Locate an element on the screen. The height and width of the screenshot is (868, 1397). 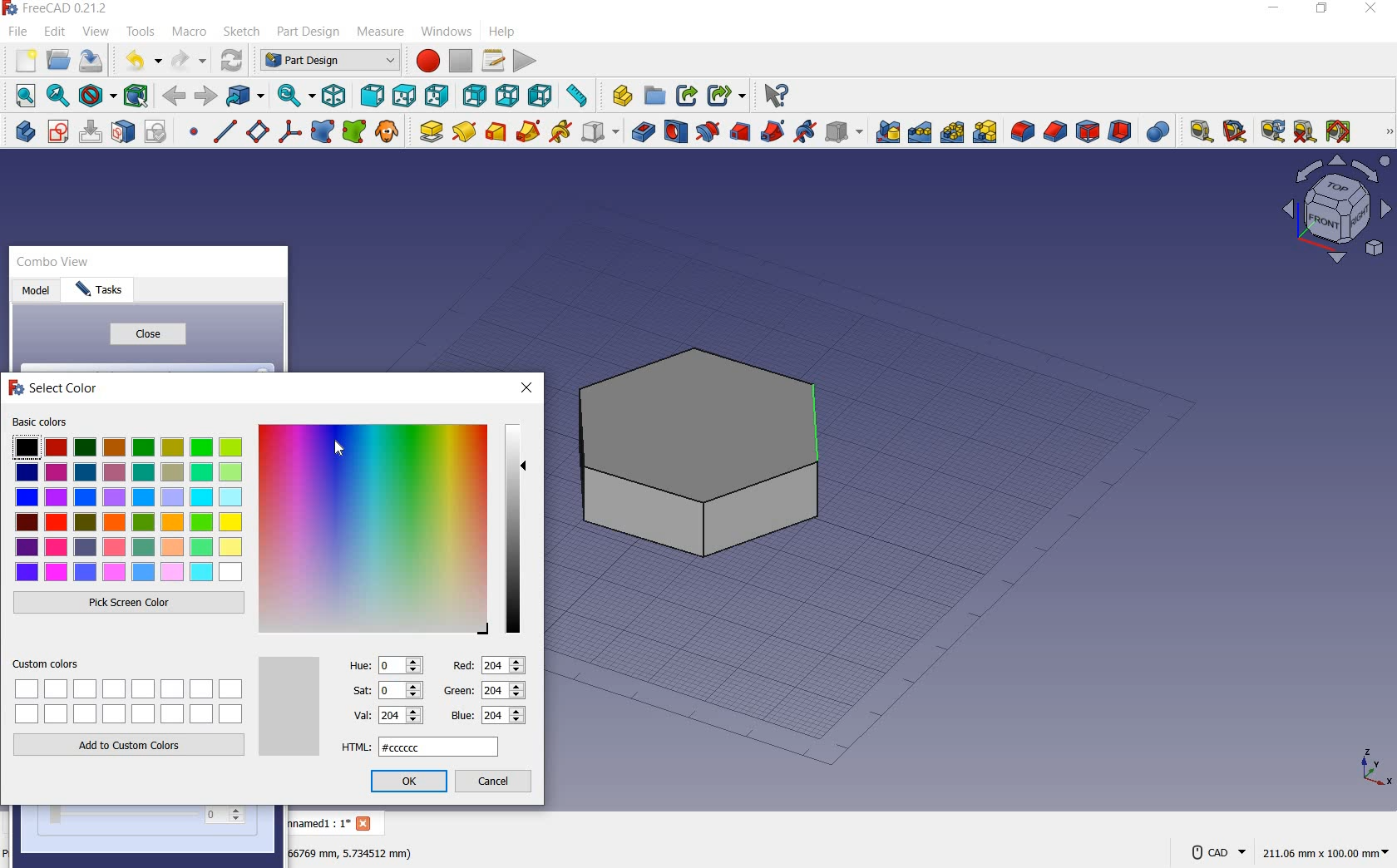
make sub-link is located at coordinates (724, 96).